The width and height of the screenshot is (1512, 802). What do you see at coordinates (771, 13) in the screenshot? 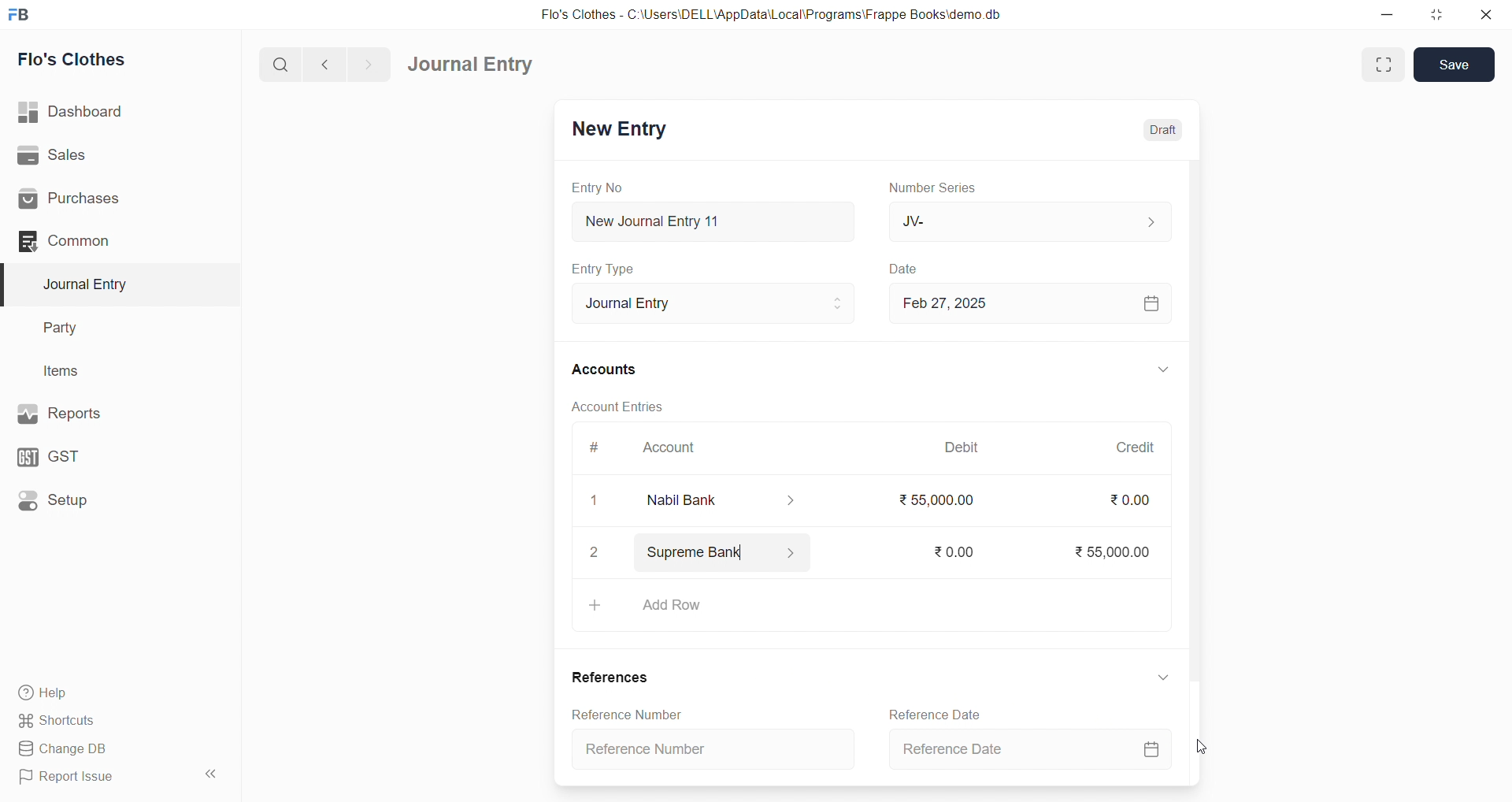
I see `Flo's Clothes - C:\Users\DELL\AppData\Local\Programs\Frappe Books\demo.db` at bounding box center [771, 13].